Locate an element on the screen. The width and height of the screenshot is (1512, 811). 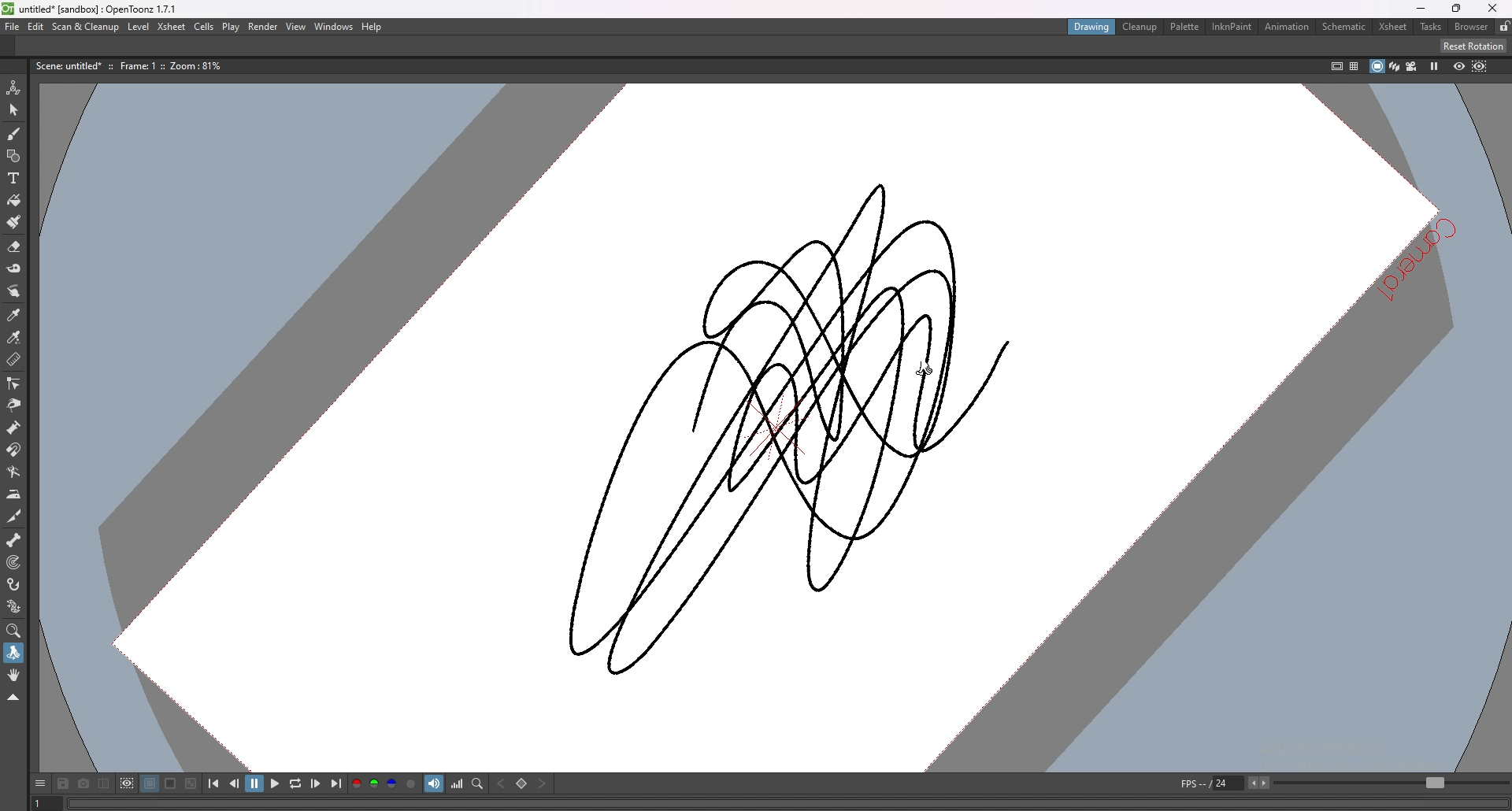
pump is located at coordinates (13, 427).